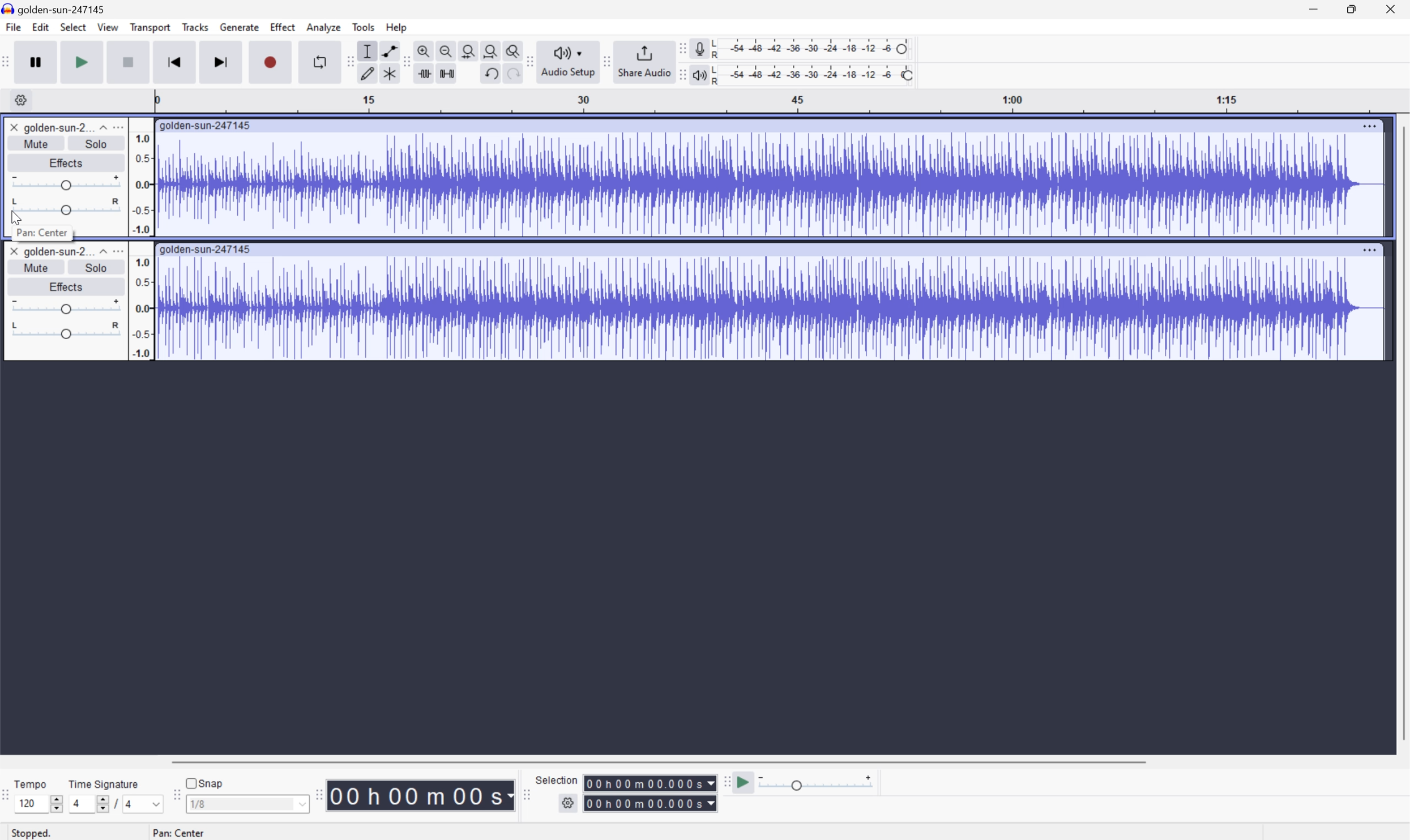  What do you see at coordinates (528, 61) in the screenshot?
I see `Audacity audio setup toolbar` at bounding box center [528, 61].